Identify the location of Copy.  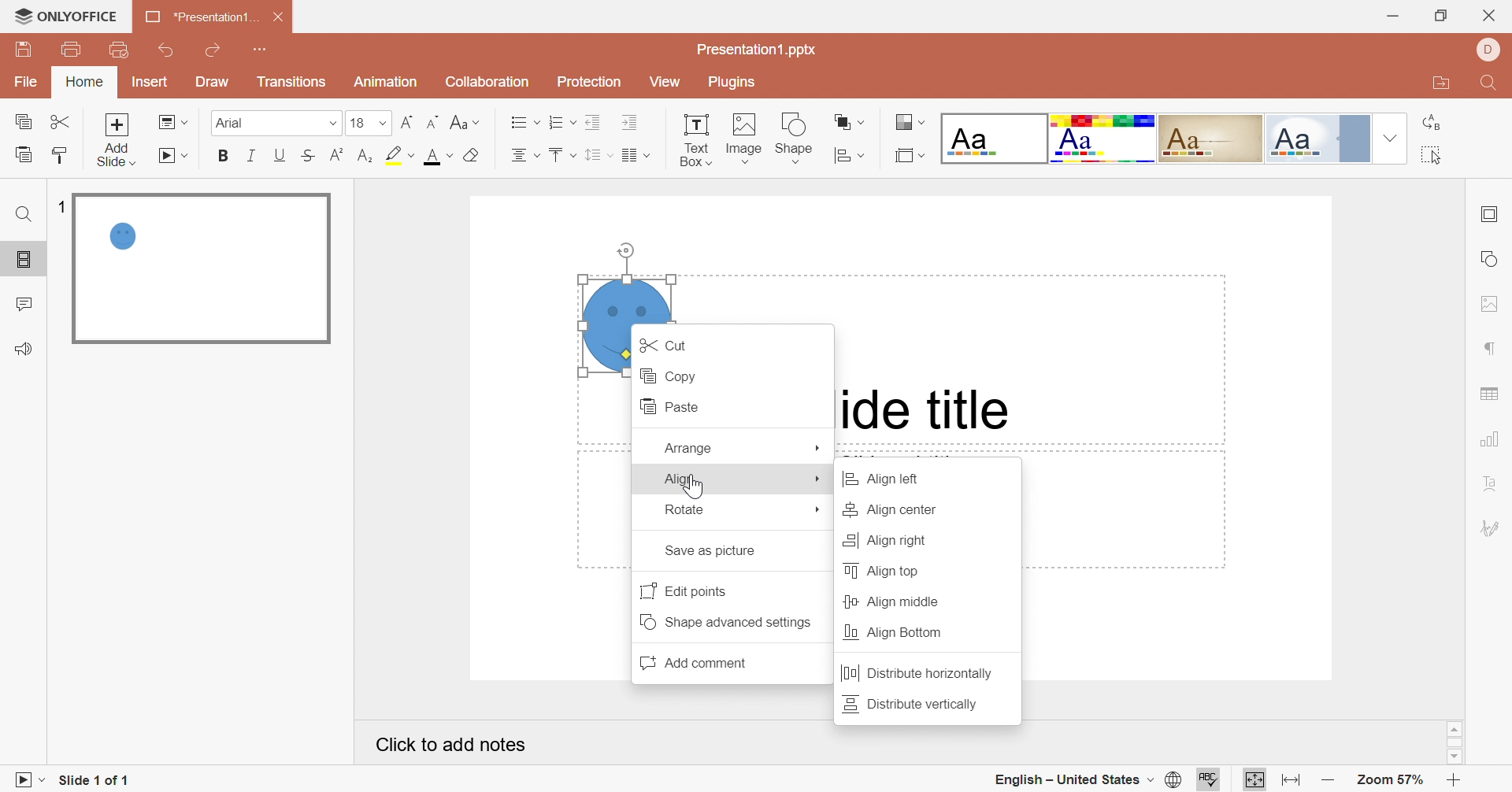
(28, 124).